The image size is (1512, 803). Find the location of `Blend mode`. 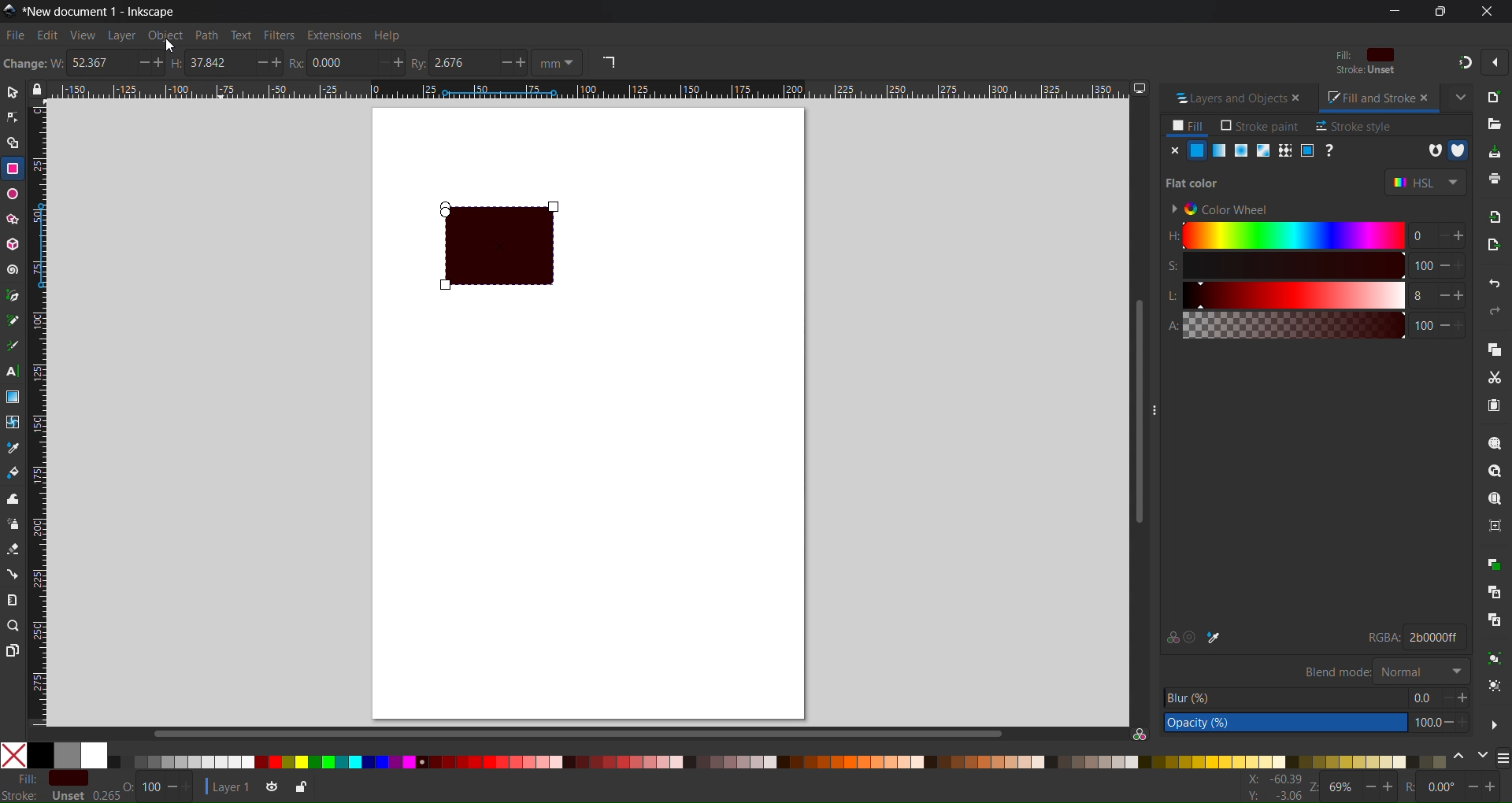

Blend mode is located at coordinates (1421, 670).